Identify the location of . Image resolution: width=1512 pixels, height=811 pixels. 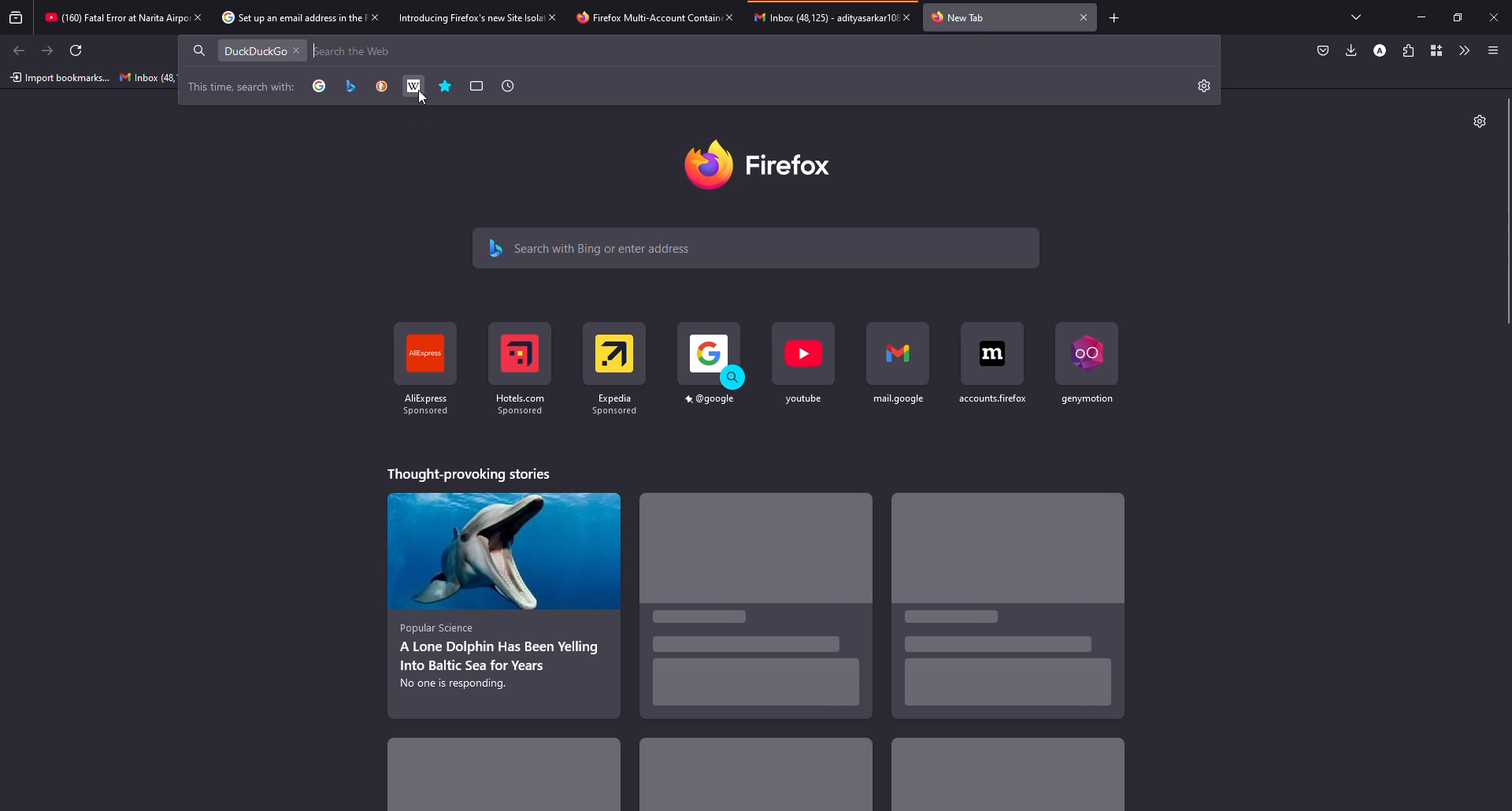
(49, 50).